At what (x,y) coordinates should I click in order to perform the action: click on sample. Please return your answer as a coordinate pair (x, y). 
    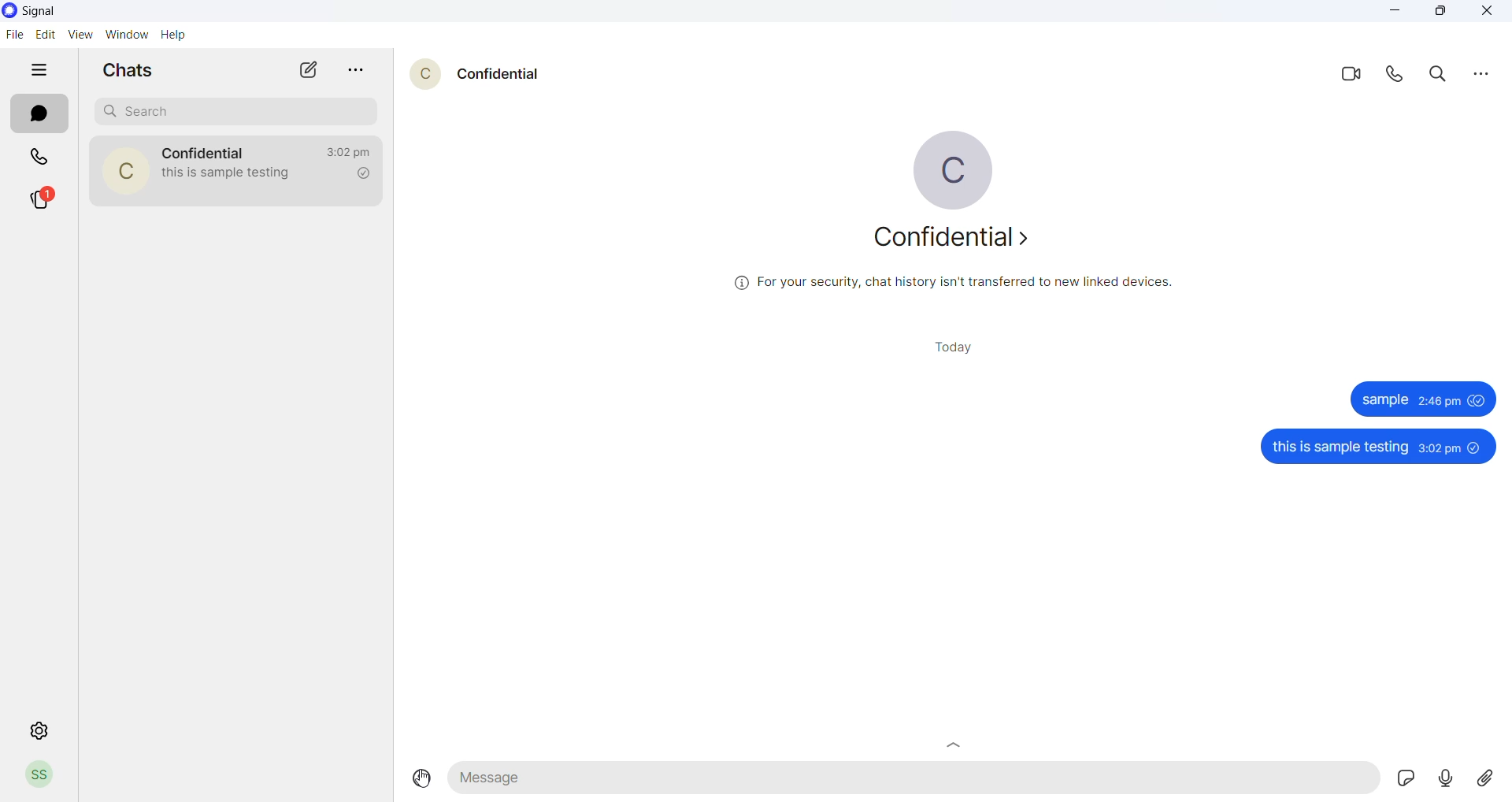
    Looking at the image, I should click on (1384, 399).